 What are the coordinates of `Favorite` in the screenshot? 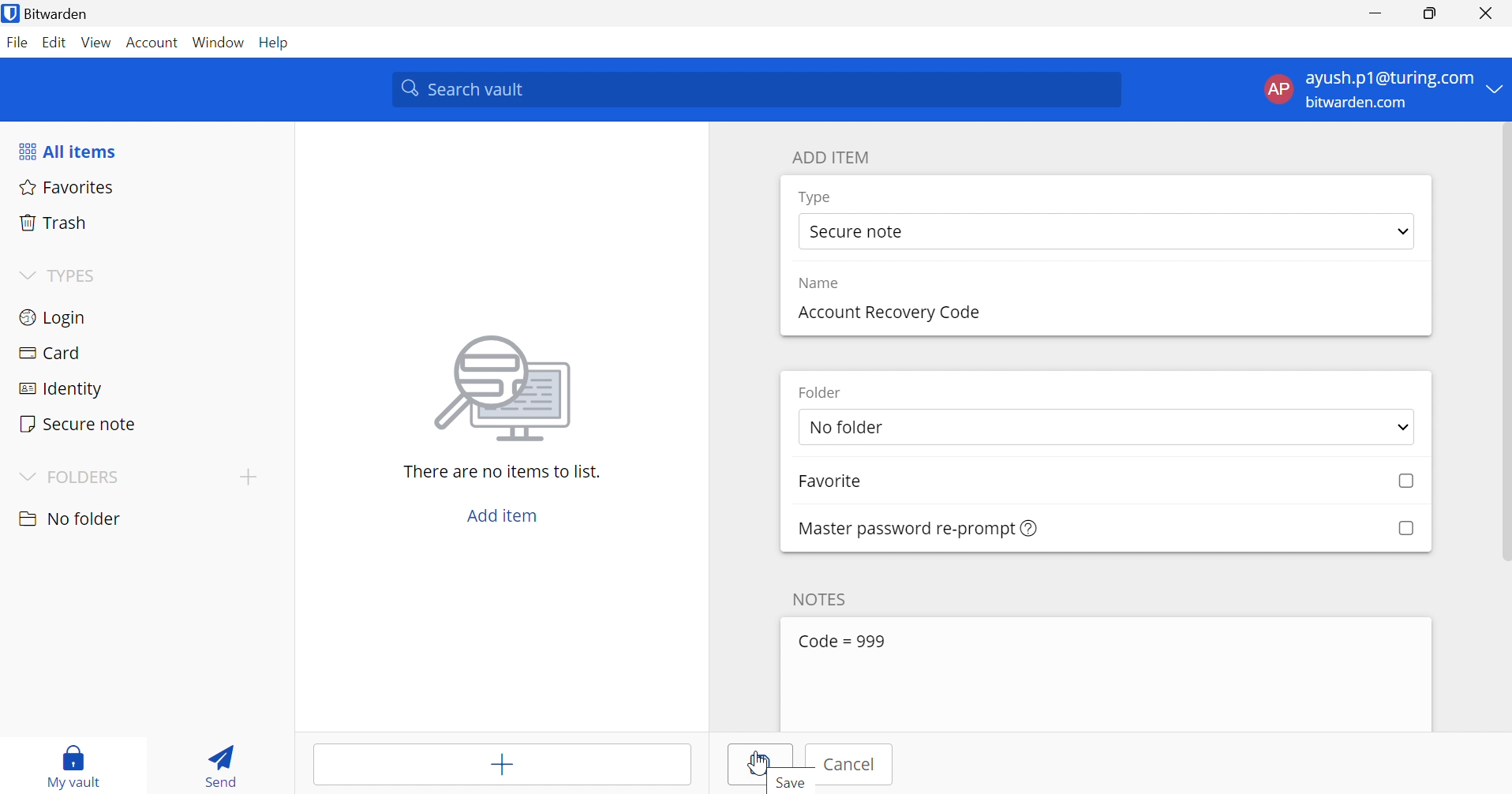 It's located at (847, 483).